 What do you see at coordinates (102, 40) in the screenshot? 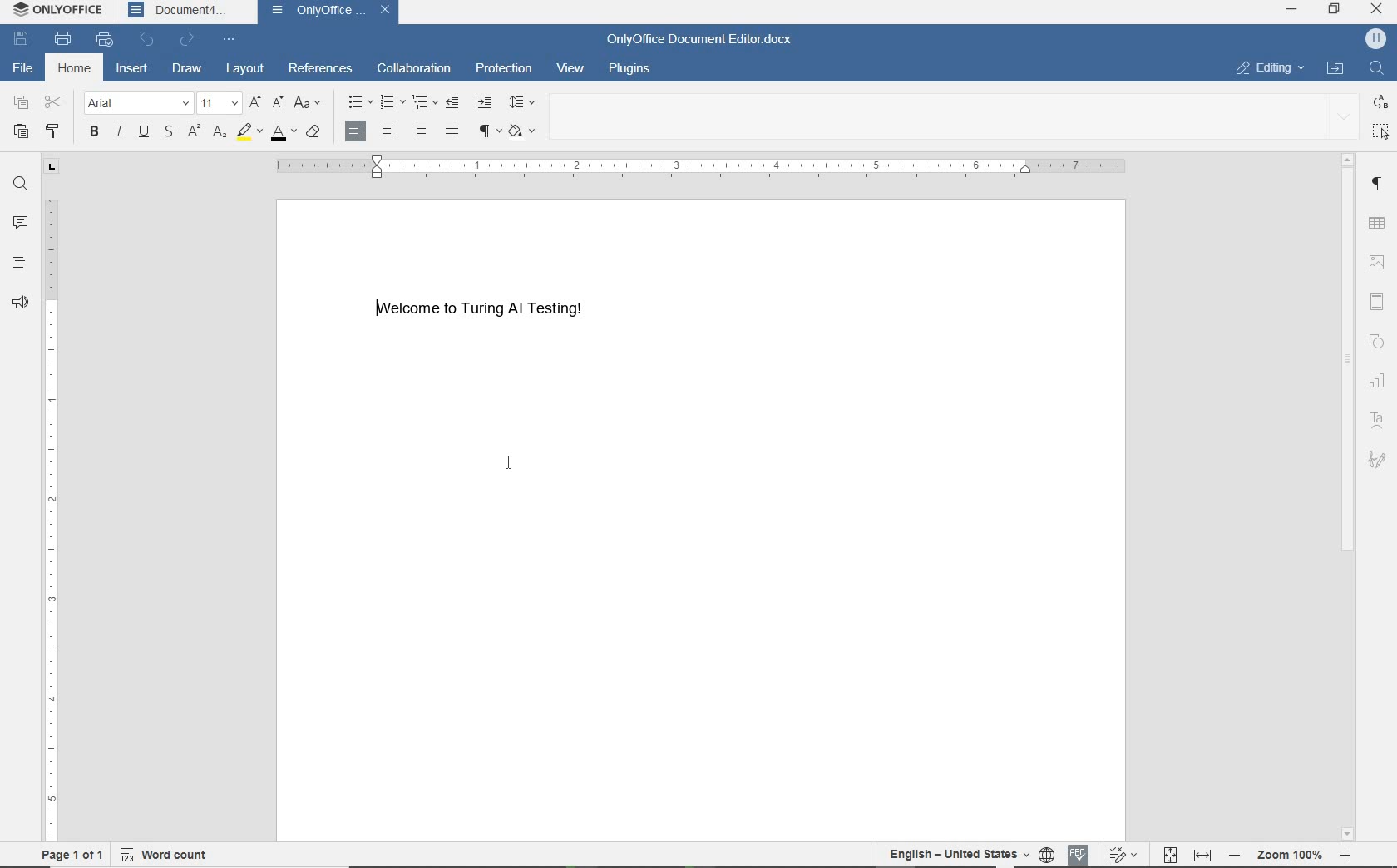
I see `quick print` at bounding box center [102, 40].